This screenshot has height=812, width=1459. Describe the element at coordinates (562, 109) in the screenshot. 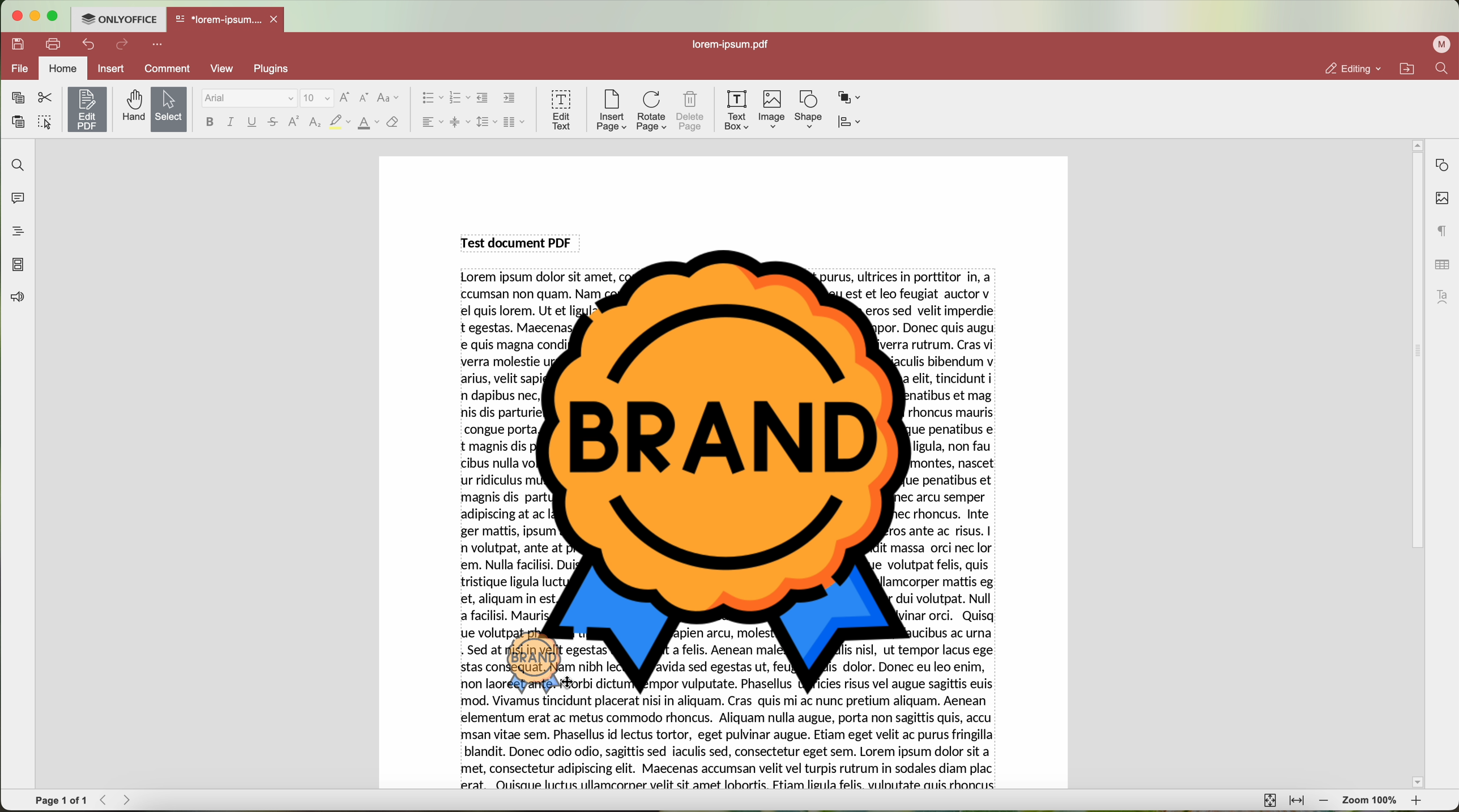

I see `edit text` at that location.